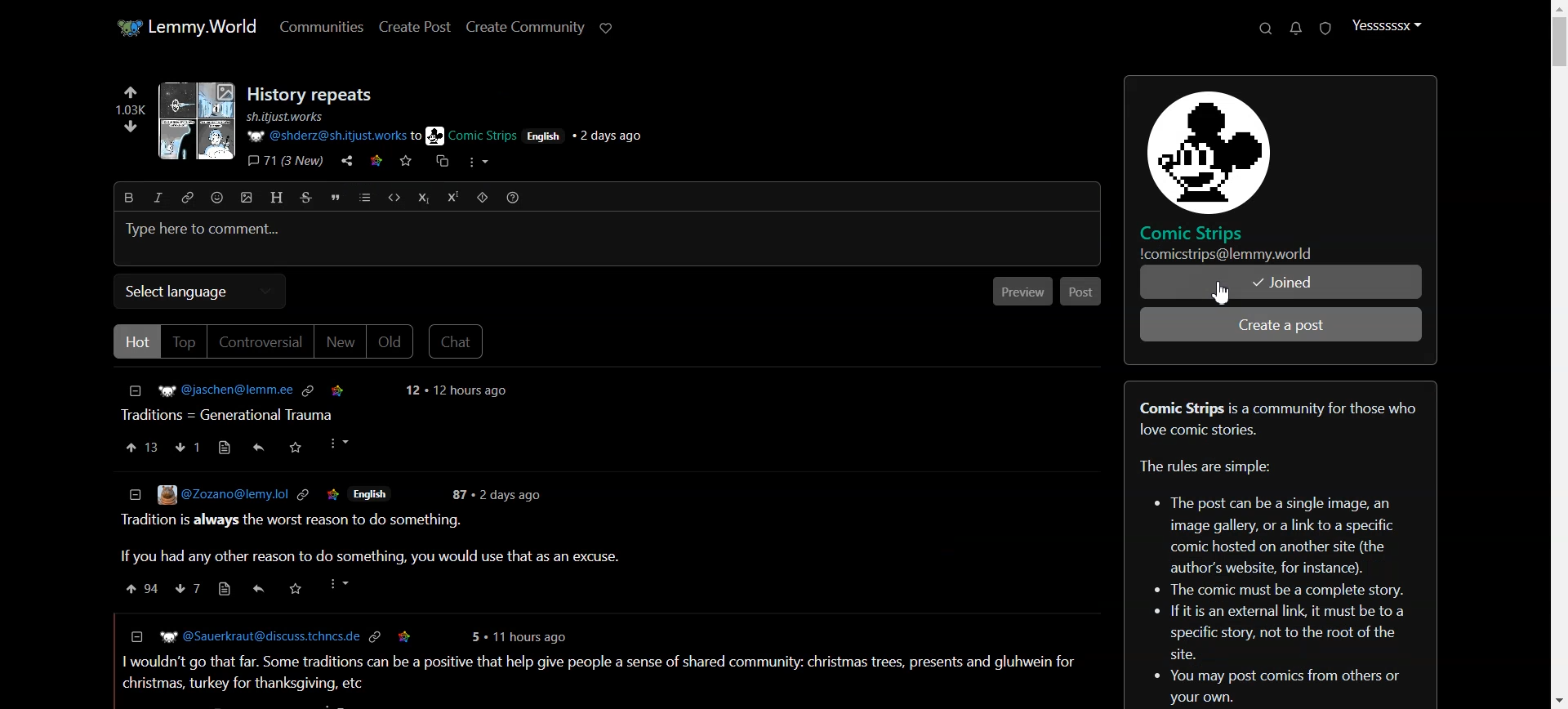 The width and height of the screenshot is (1568, 709). I want to click on Notifications, so click(1298, 28).